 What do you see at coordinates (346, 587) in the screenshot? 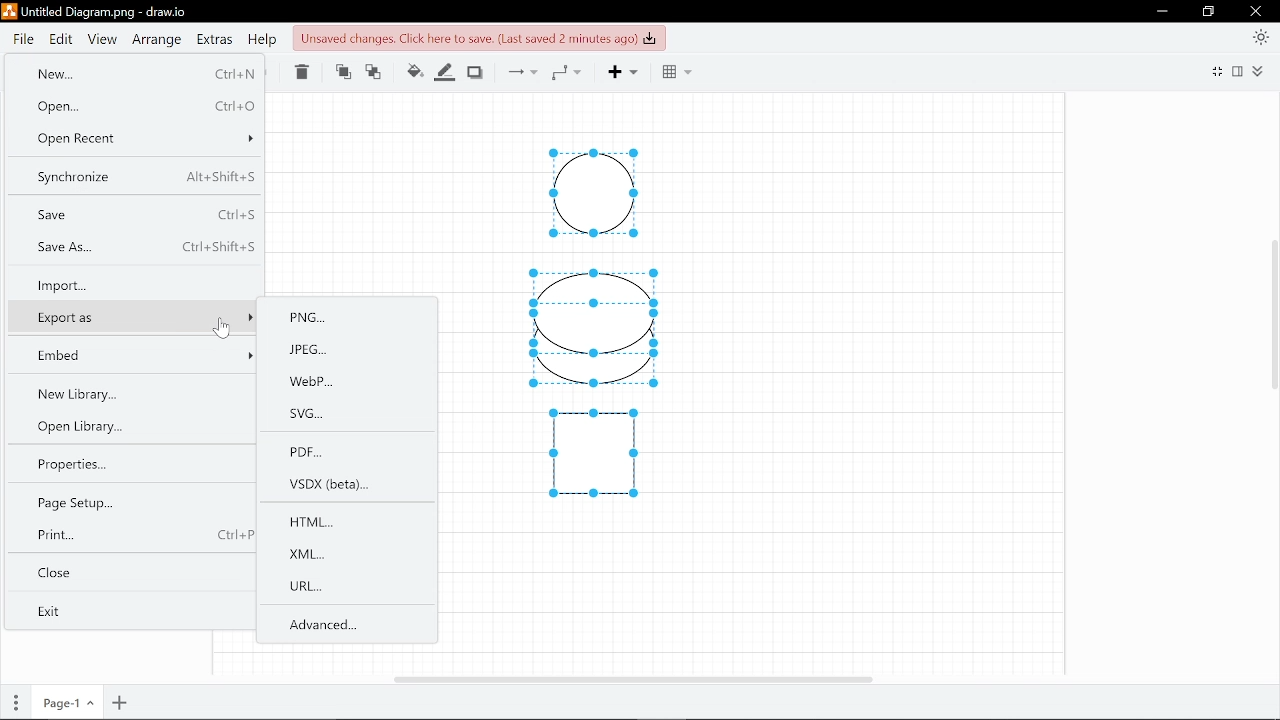
I see `URL` at bounding box center [346, 587].